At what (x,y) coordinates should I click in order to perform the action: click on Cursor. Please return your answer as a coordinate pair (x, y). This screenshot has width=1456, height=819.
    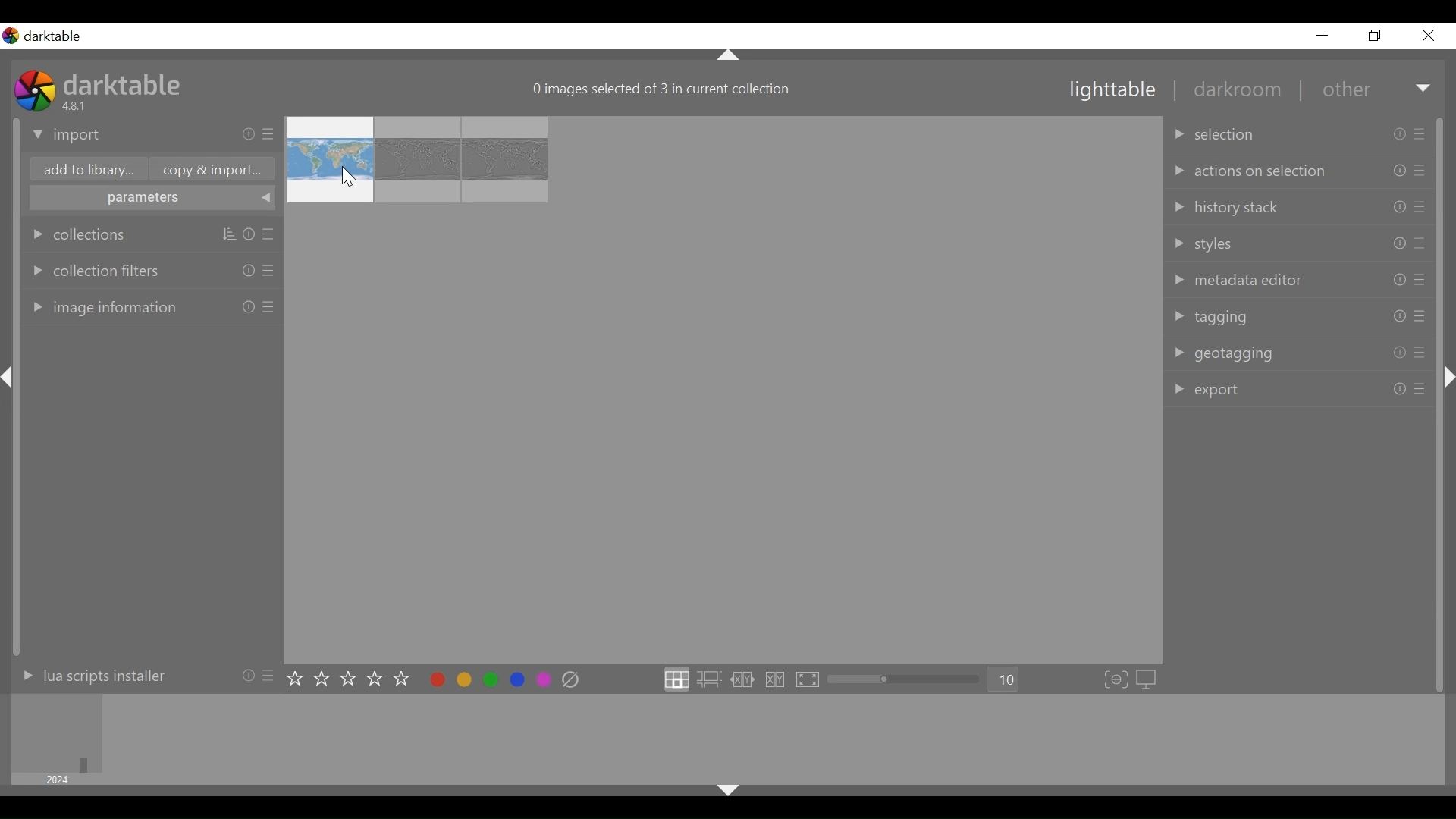
    Looking at the image, I should click on (347, 177).